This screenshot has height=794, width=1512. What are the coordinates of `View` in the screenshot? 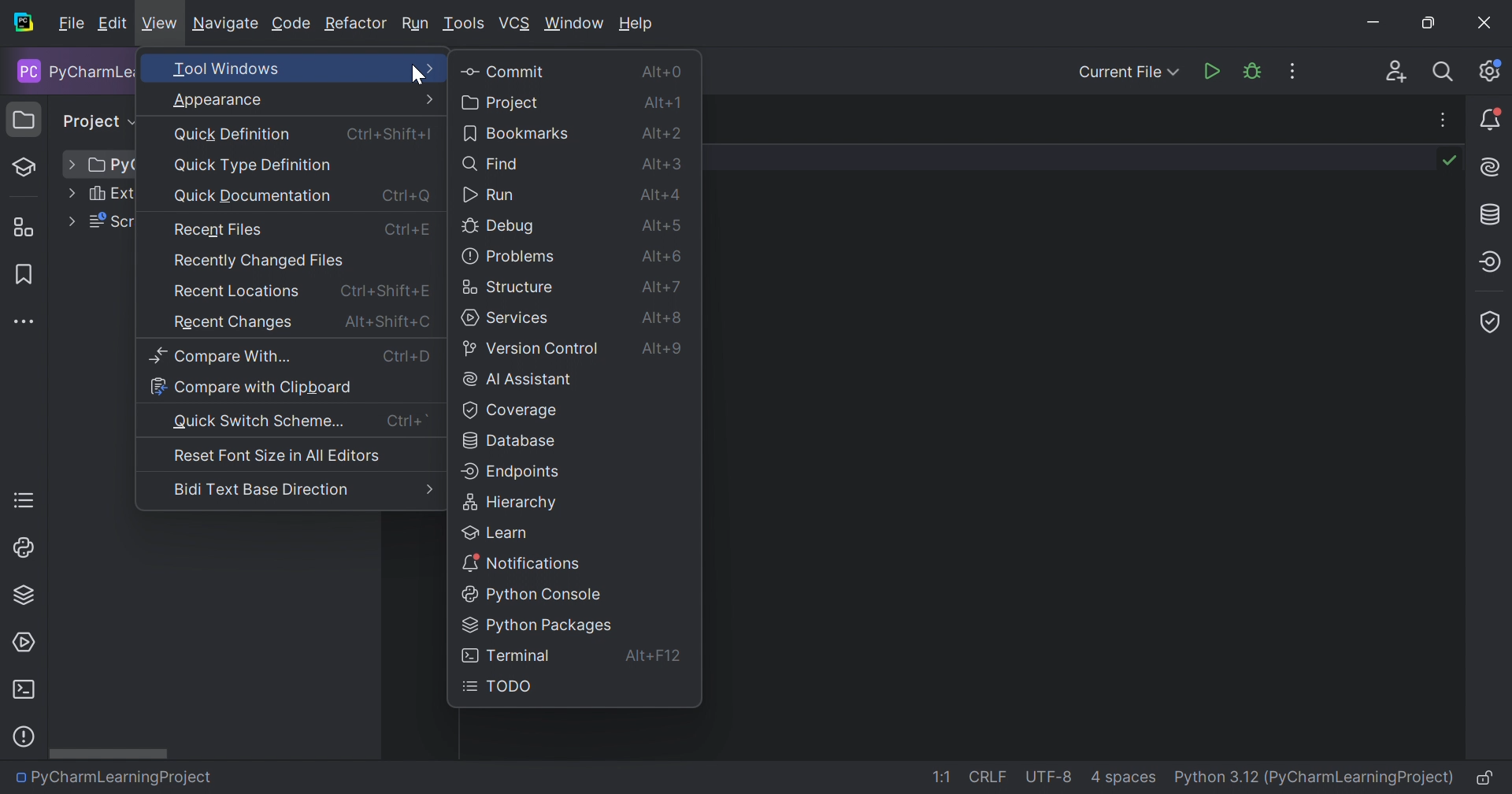 It's located at (159, 26).